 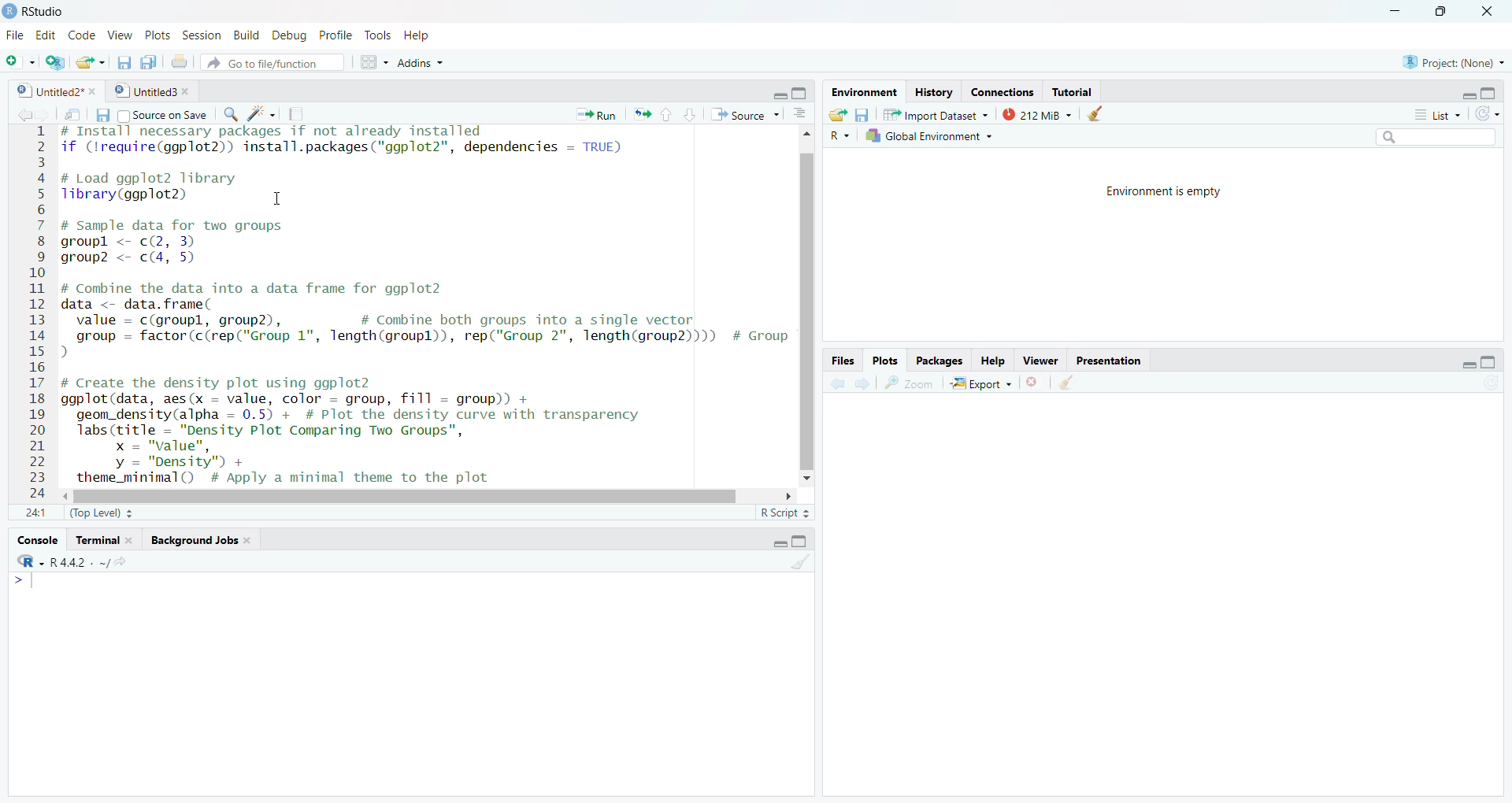 I want to click on go to previous section, so click(x=668, y=113).